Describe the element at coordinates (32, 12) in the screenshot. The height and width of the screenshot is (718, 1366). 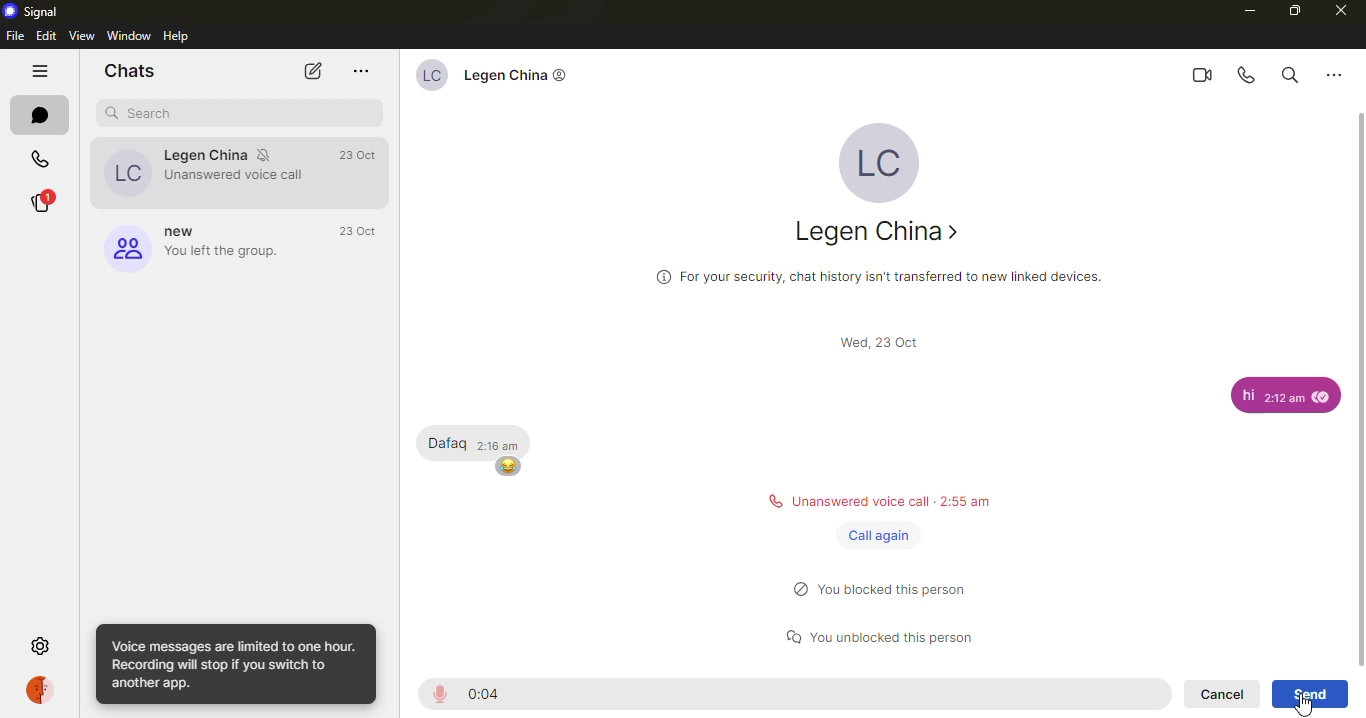
I see `signal` at that location.